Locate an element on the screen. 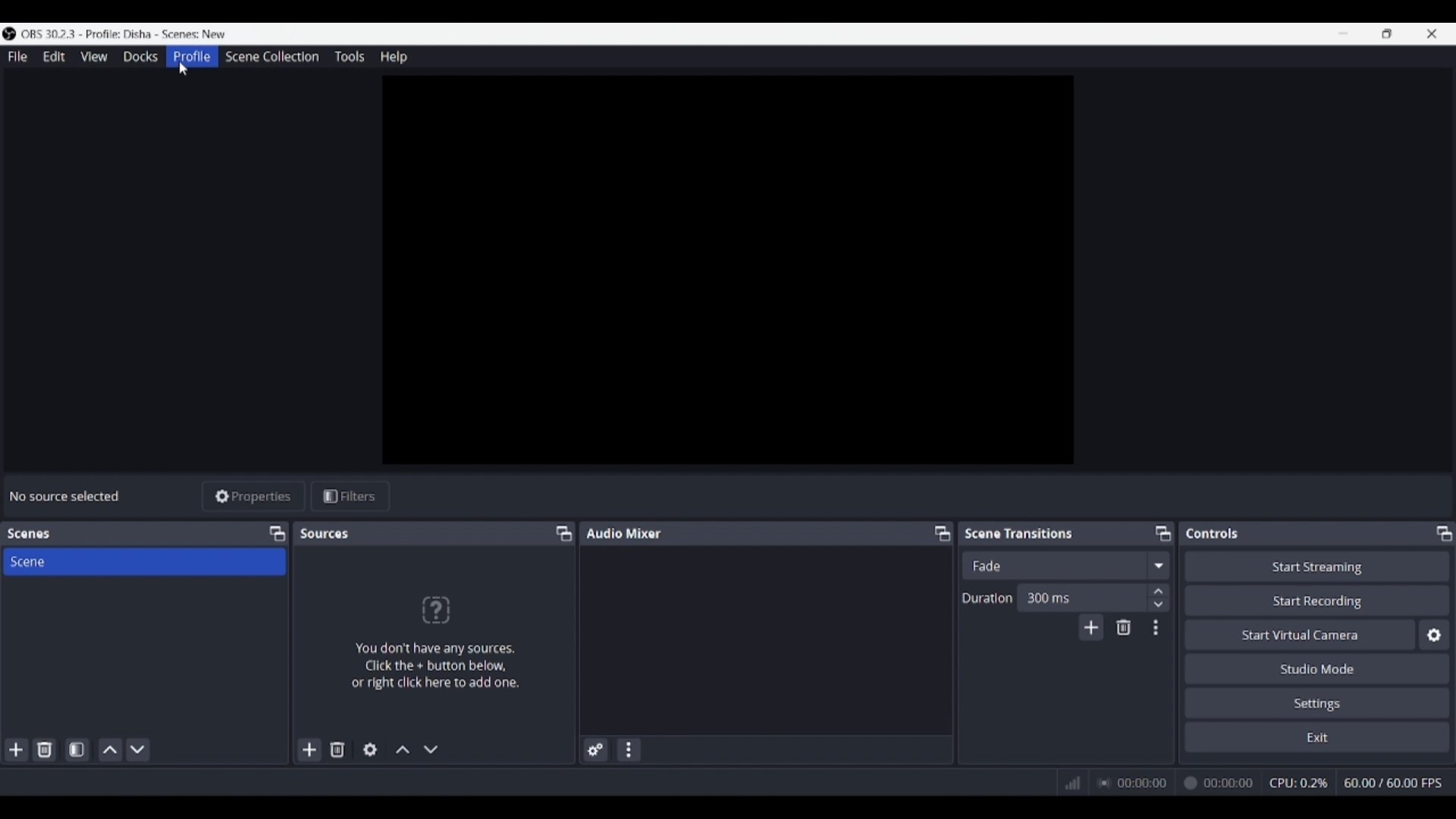 The height and width of the screenshot is (819, 1456). Help menu is located at coordinates (394, 57).